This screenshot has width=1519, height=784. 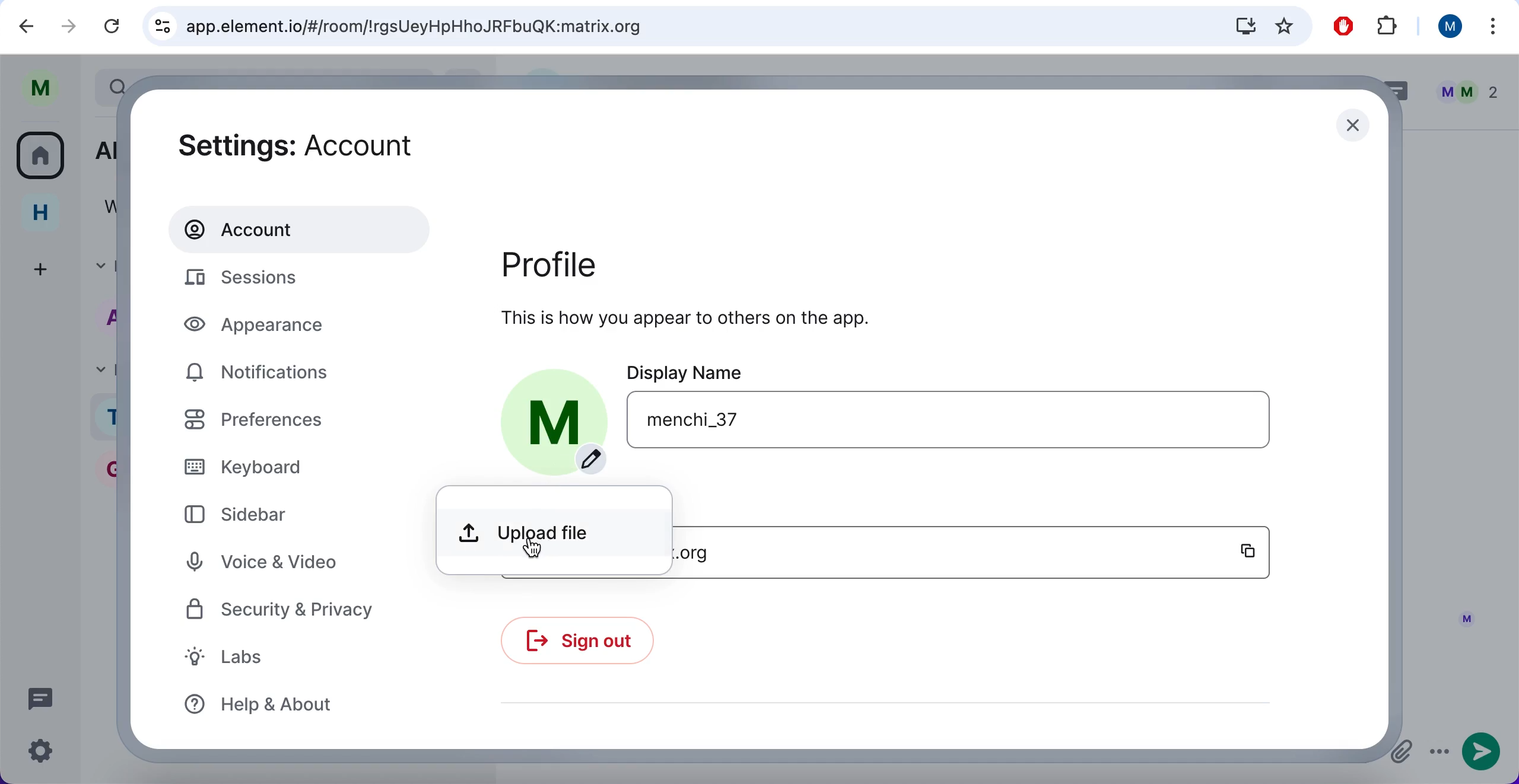 What do you see at coordinates (1438, 755) in the screenshot?
I see `options` at bounding box center [1438, 755].